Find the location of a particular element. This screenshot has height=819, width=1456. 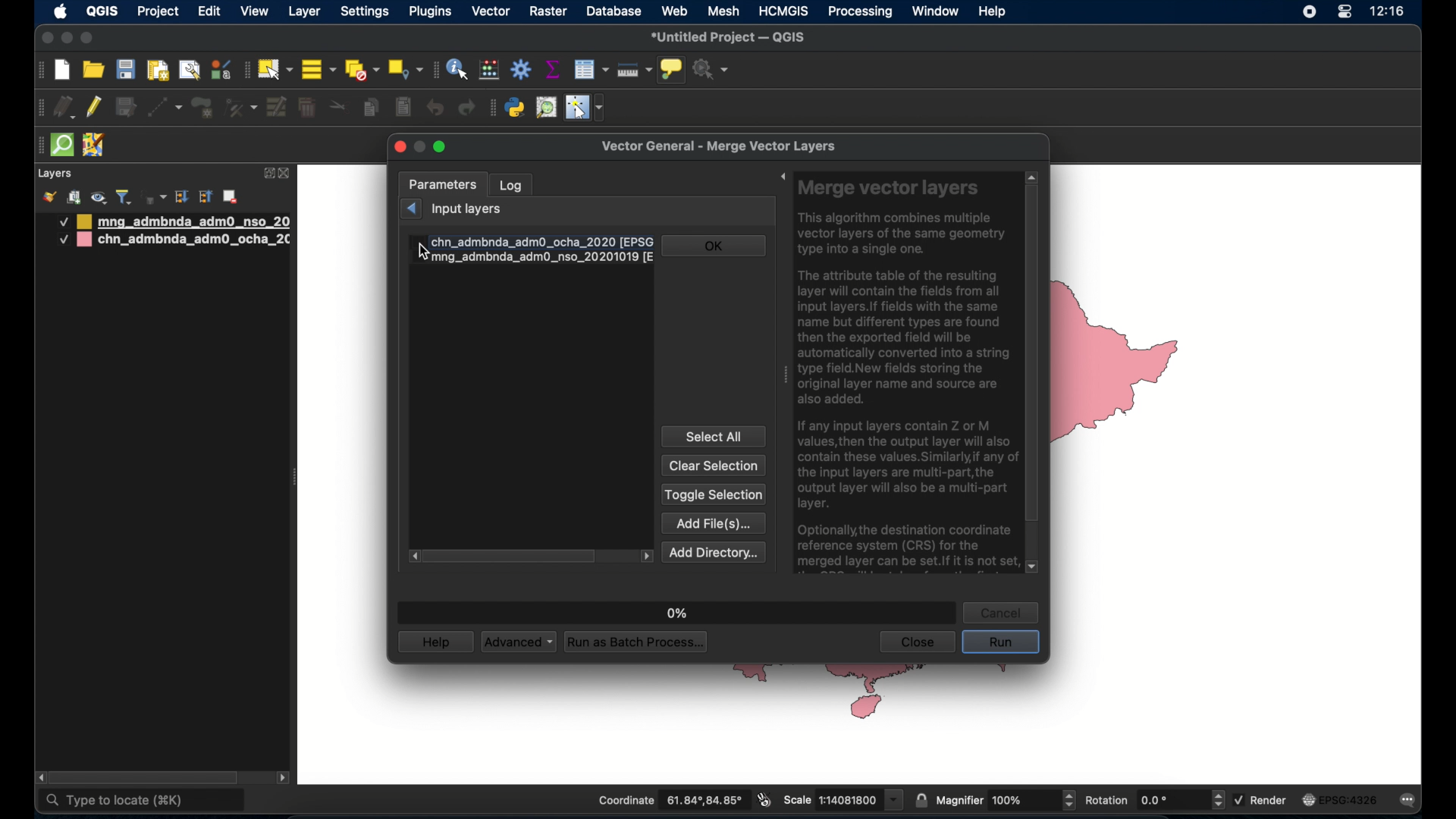

processing is located at coordinates (861, 13).